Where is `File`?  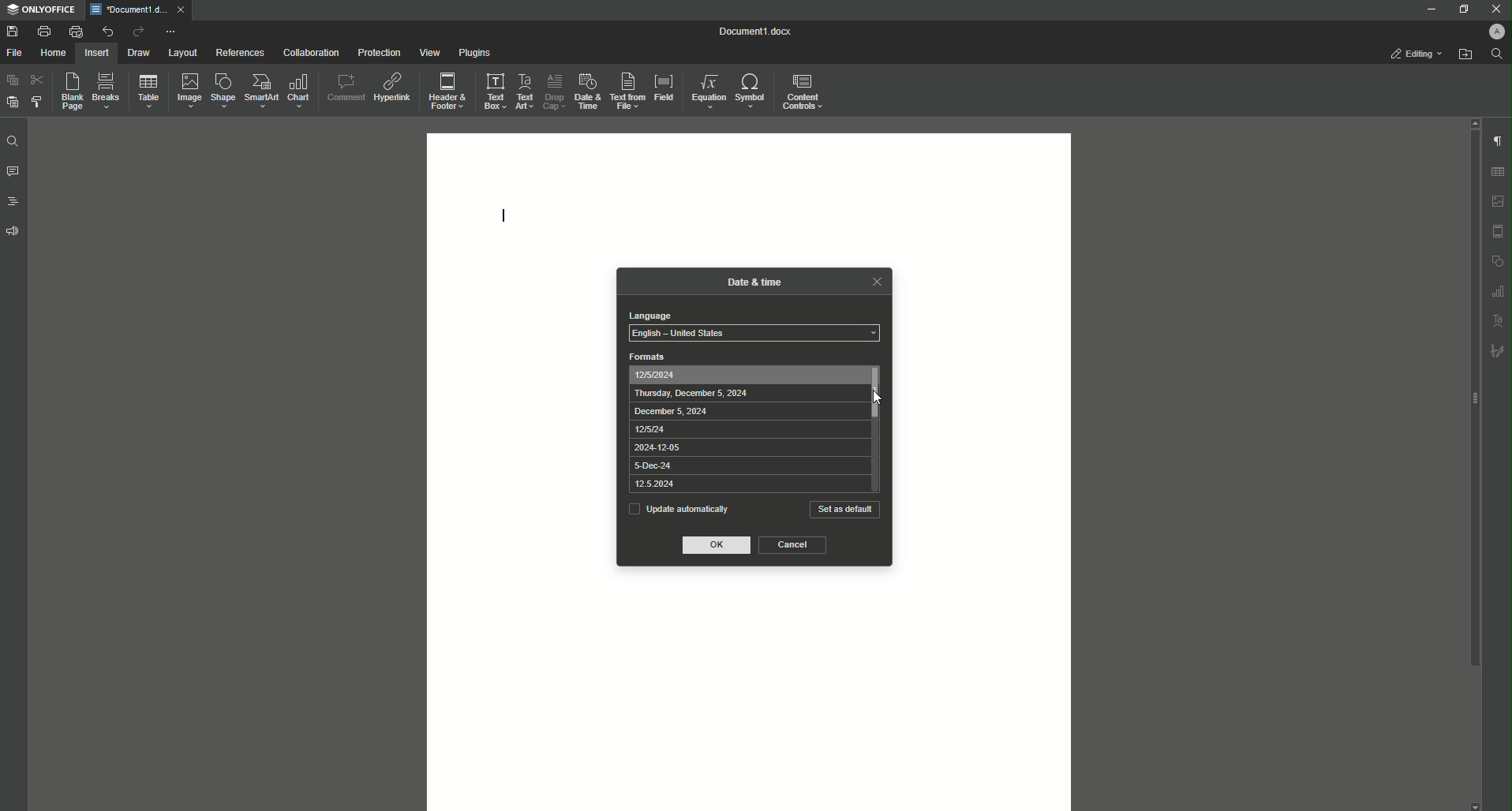
File is located at coordinates (17, 53).